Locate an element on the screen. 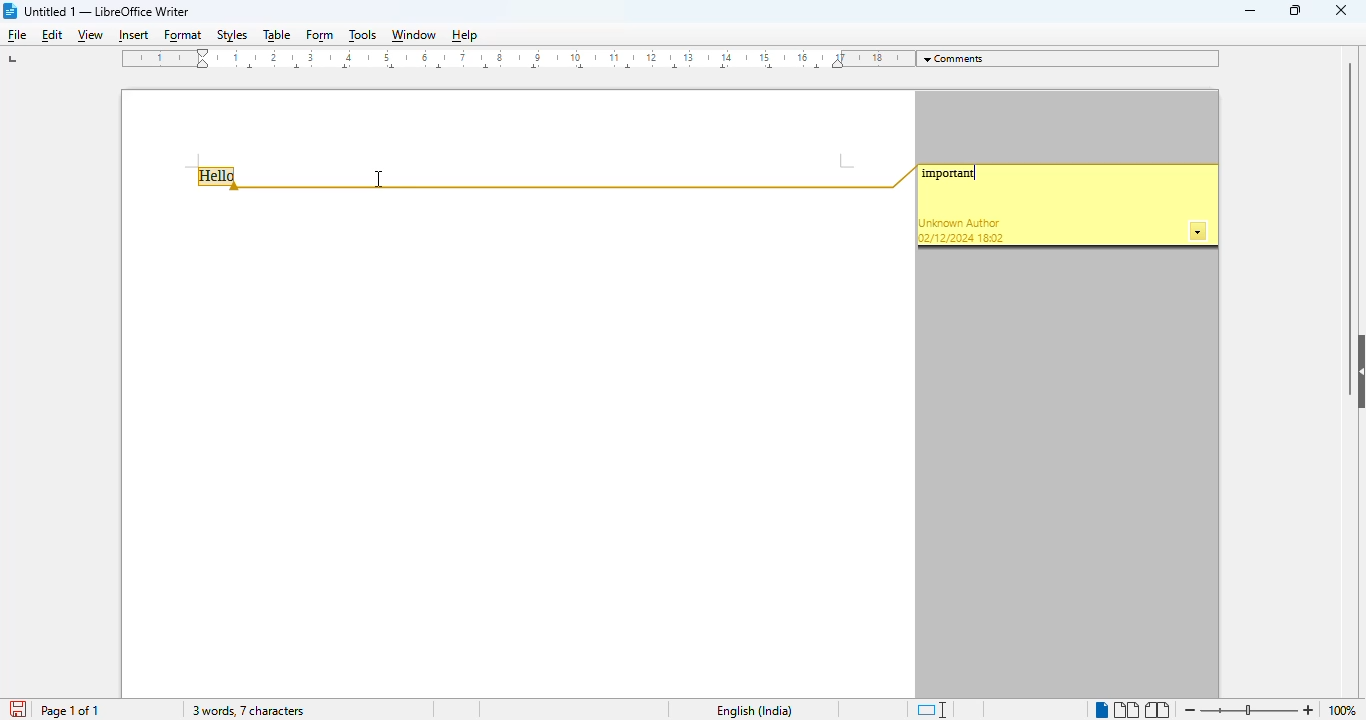 The width and height of the screenshot is (1366, 720). hotkey (Ctrl+alt+C) on selected text is located at coordinates (220, 178).